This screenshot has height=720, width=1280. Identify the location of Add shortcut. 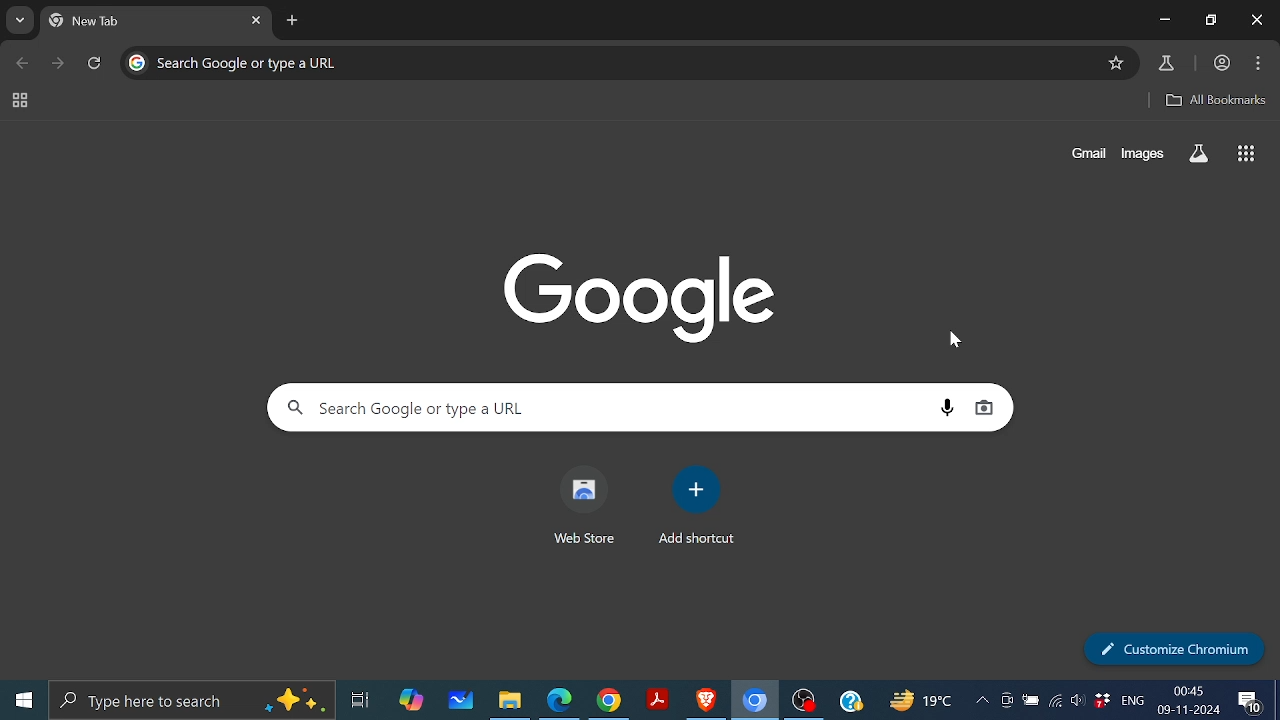
(694, 508).